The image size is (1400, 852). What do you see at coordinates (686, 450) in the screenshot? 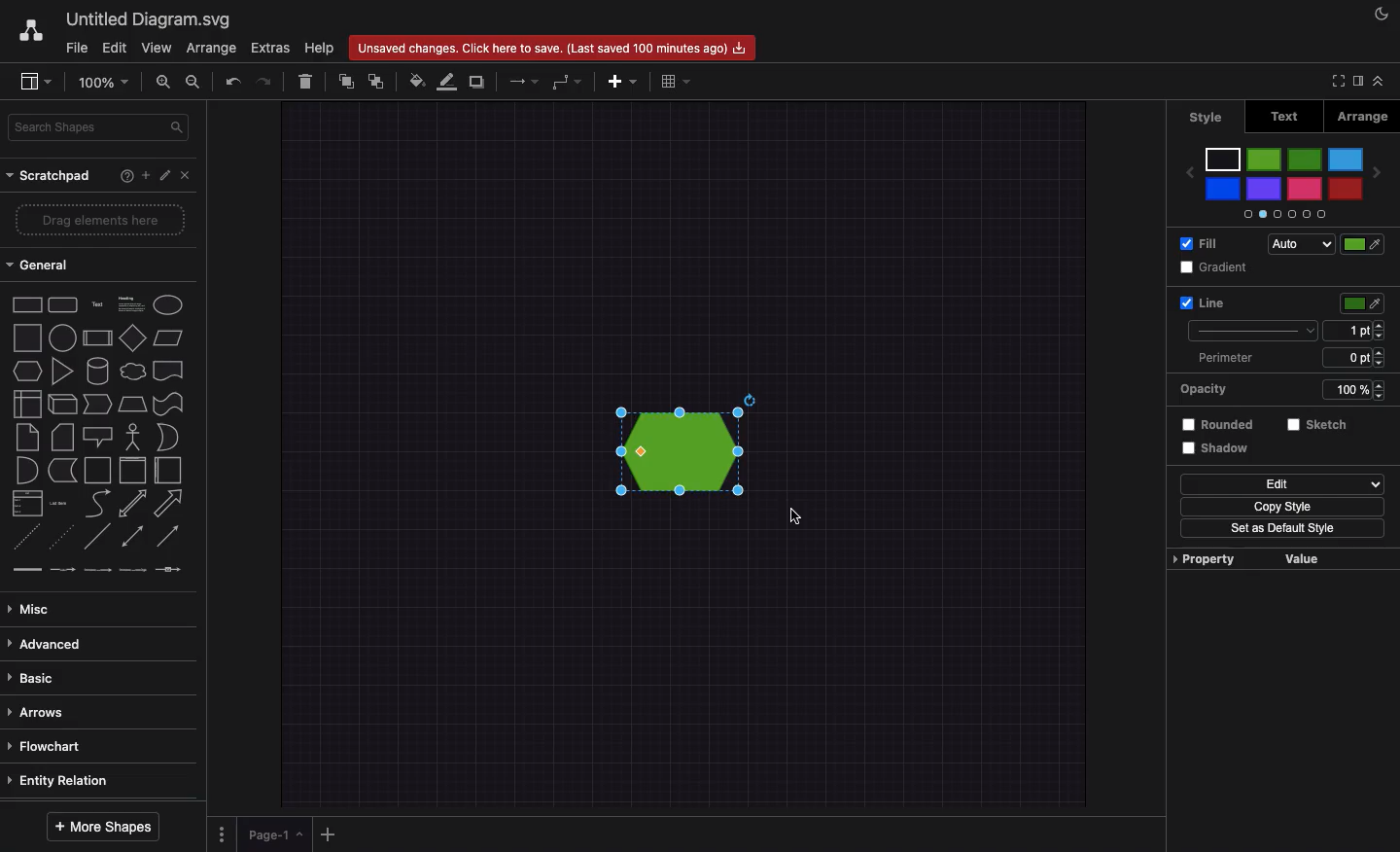
I see `Green added` at bounding box center [686, 450].